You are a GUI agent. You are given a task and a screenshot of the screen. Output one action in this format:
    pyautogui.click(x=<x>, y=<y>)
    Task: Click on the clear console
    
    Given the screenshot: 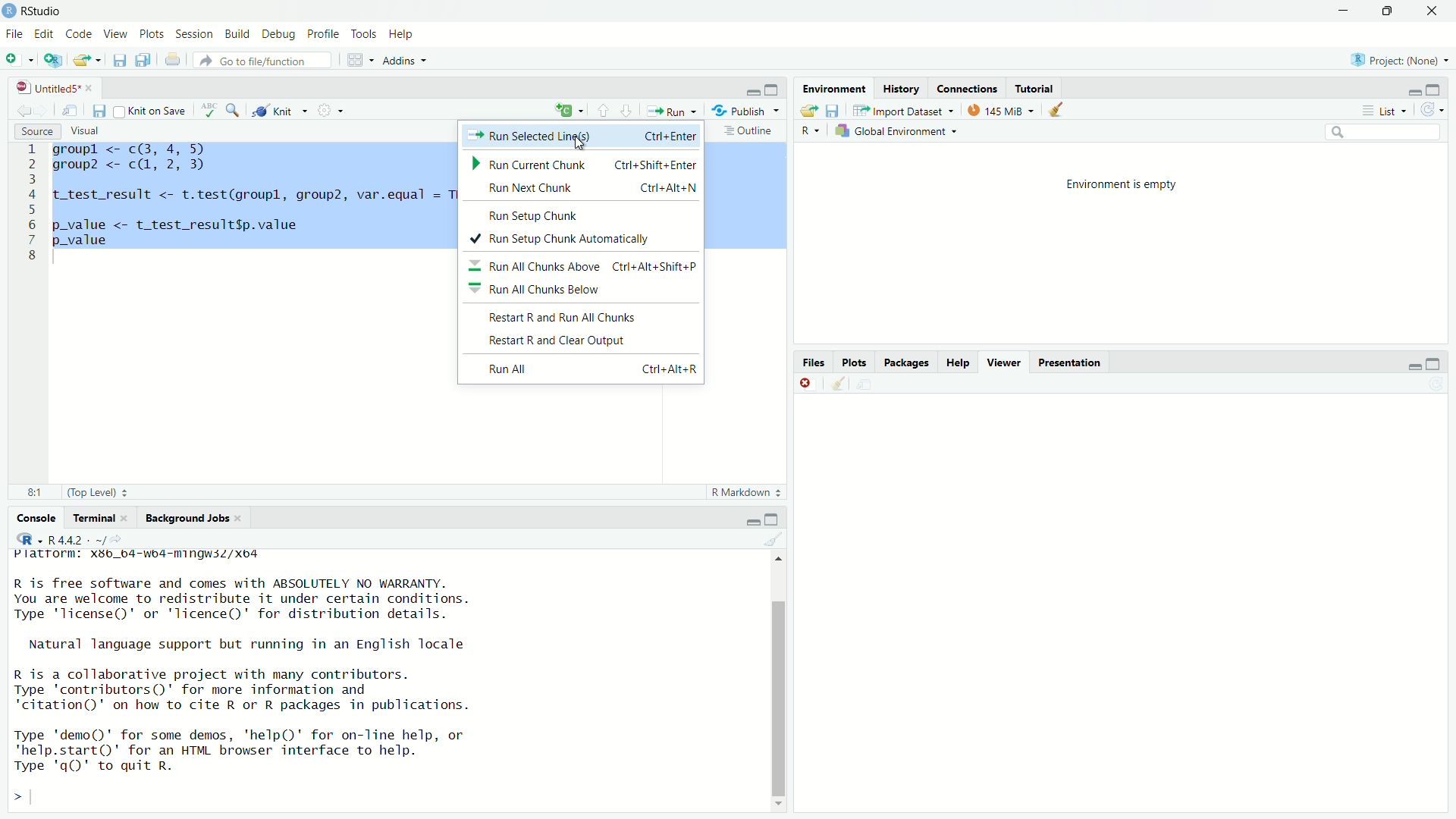 What is the action you would take?
    pyautogui.click(x=836, y=382)
    